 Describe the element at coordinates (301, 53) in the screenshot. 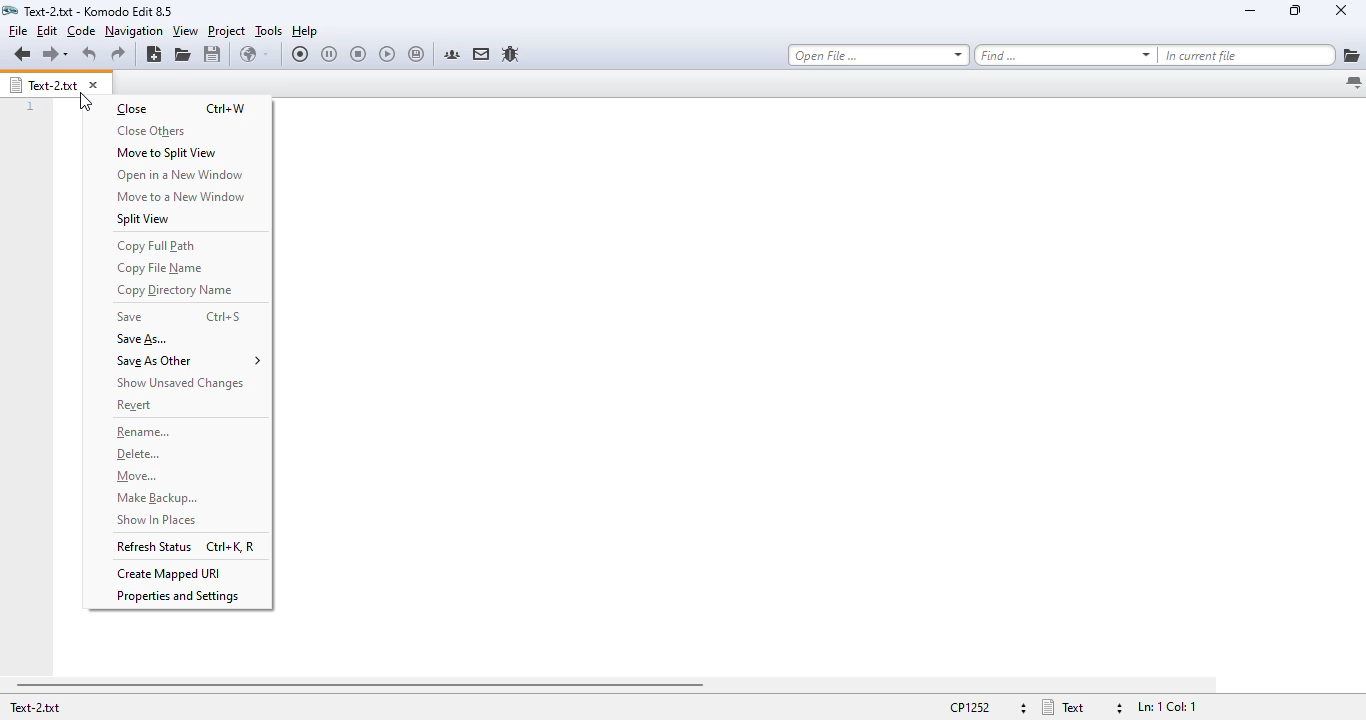

I see `record macro` at that location.